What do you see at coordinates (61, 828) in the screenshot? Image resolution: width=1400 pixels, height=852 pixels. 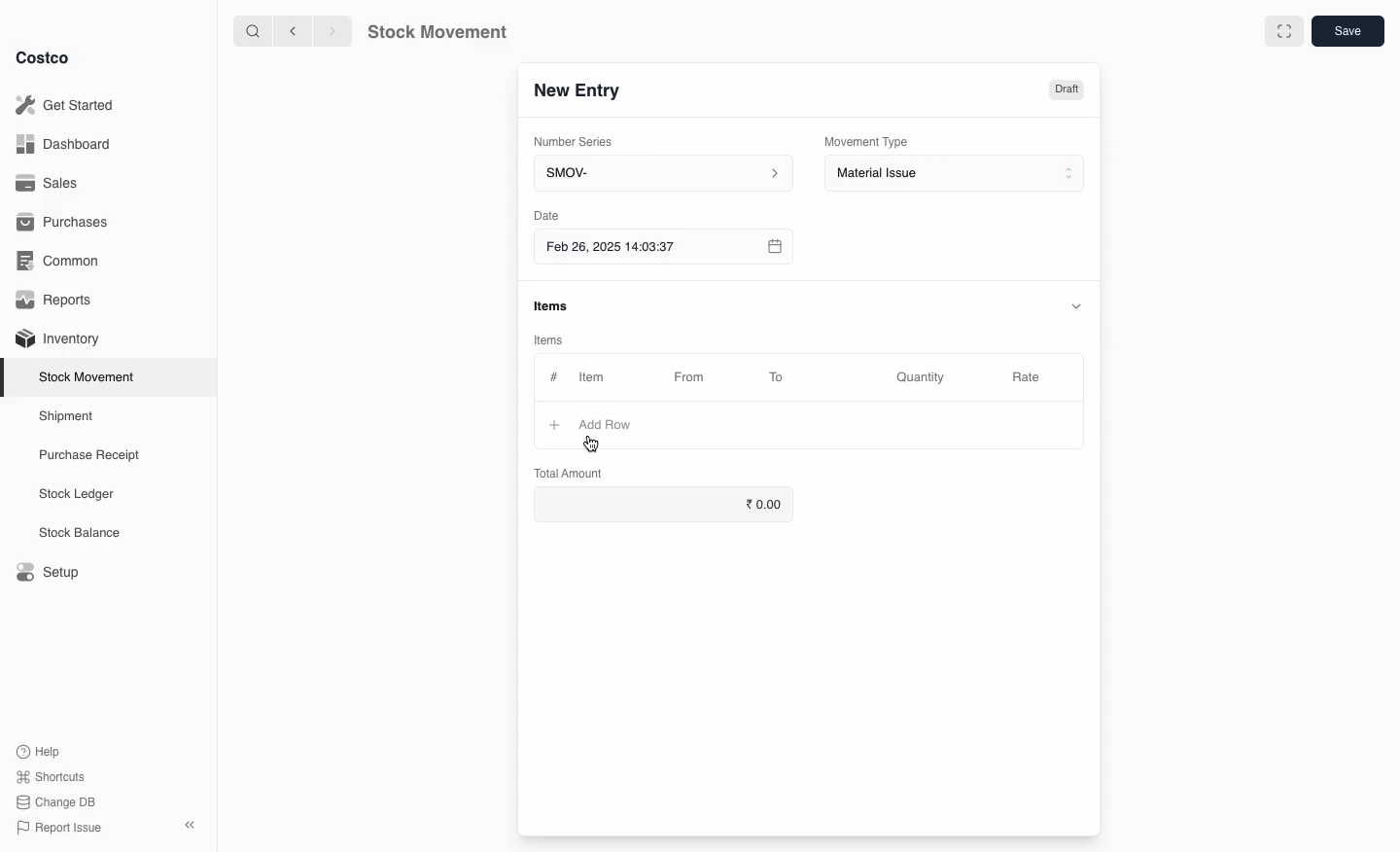 I see `Report Issue` at bounding box center [61, 828].